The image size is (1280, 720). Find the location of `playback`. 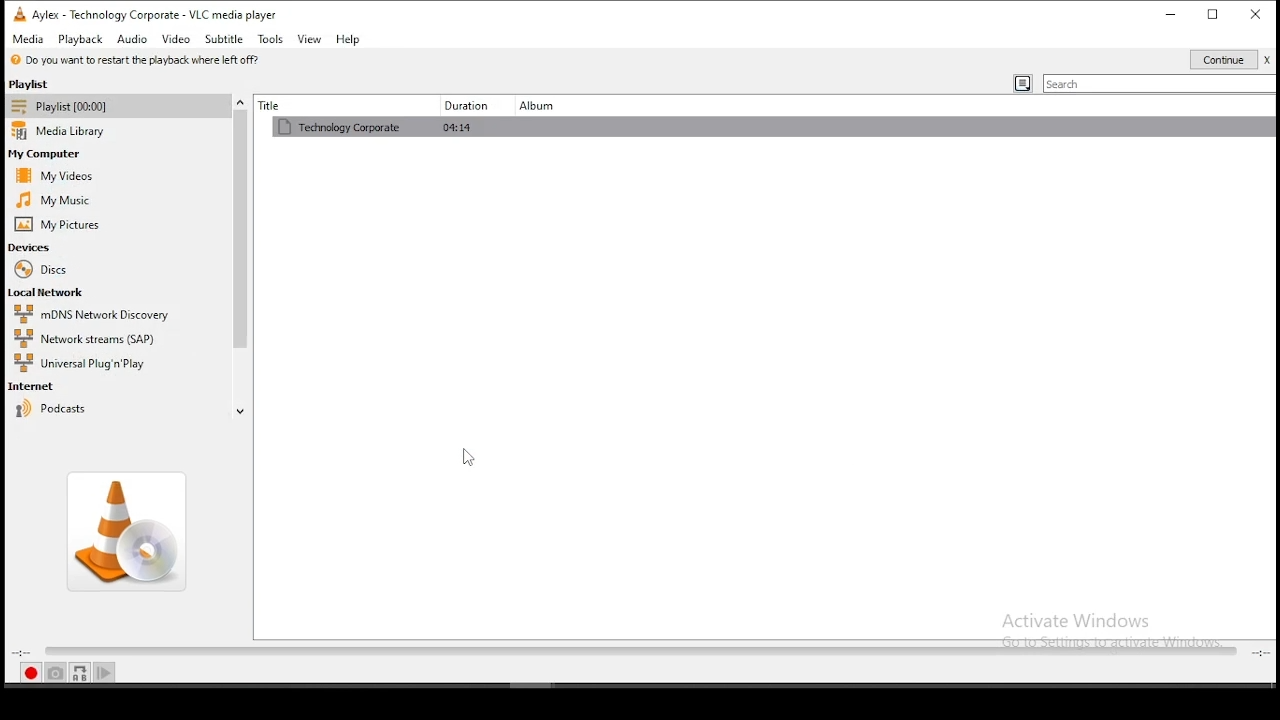

playback is located at coordinates (81, 40).